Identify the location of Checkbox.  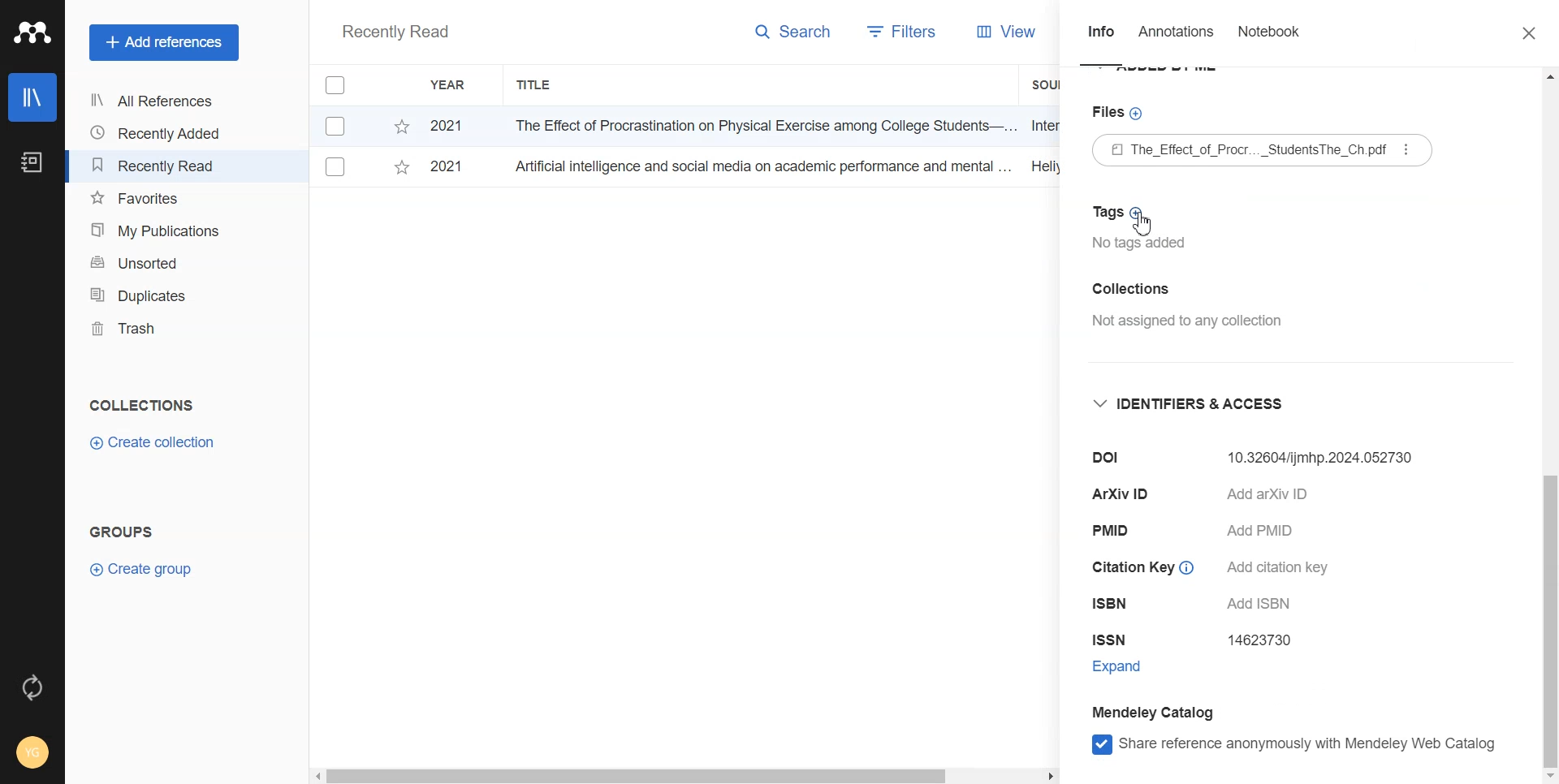
(339, 125).